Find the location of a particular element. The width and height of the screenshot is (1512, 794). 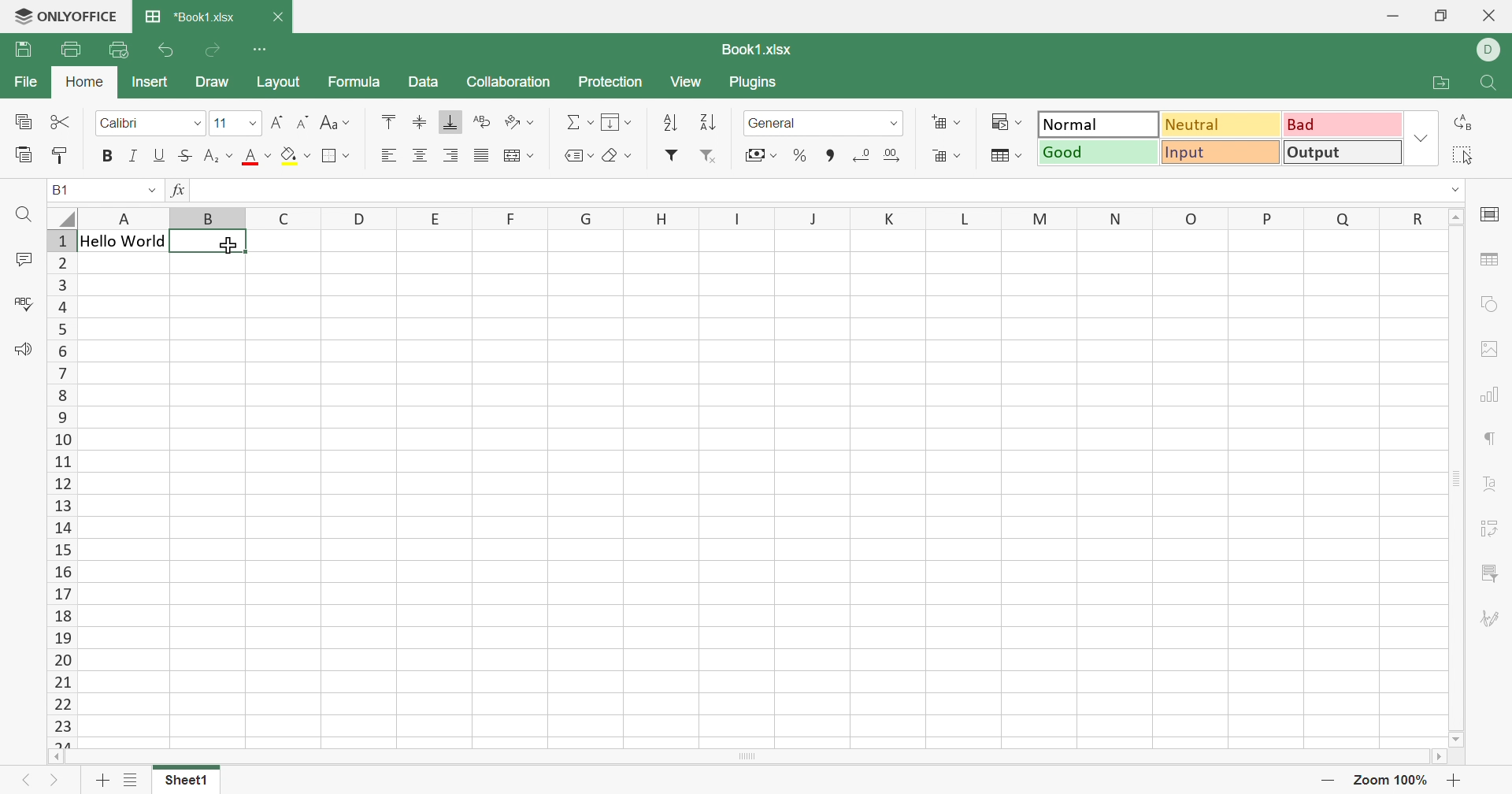

Copy style is located at coordinates (60, 153).